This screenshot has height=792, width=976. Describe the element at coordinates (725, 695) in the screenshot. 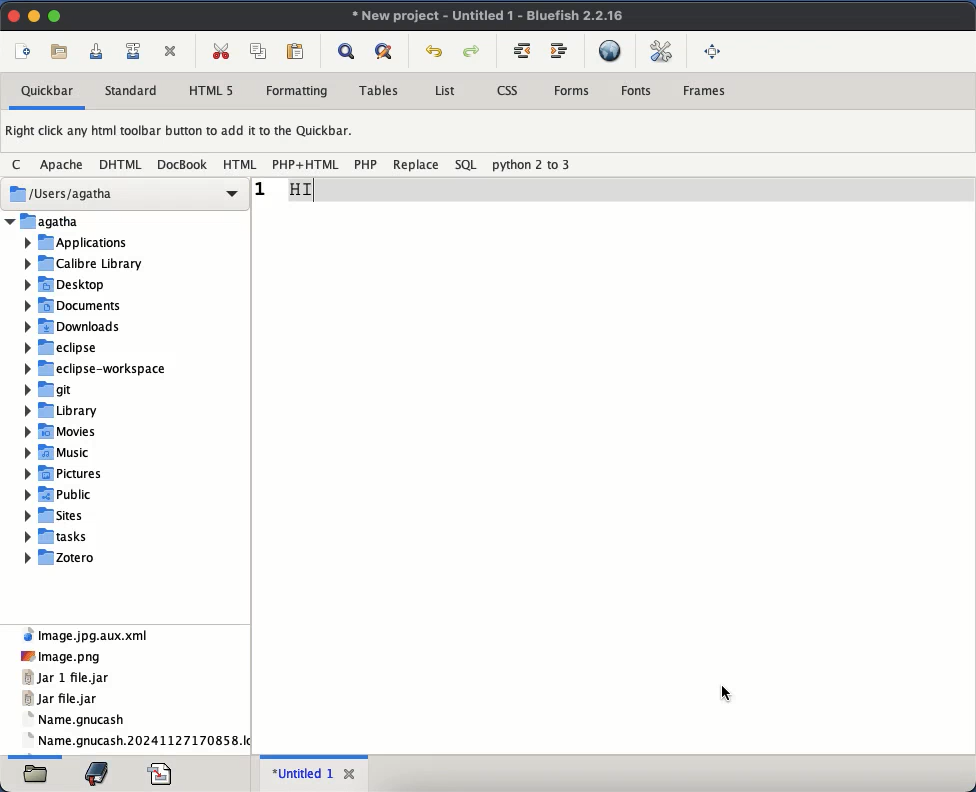

I see `Cursor` at that location.